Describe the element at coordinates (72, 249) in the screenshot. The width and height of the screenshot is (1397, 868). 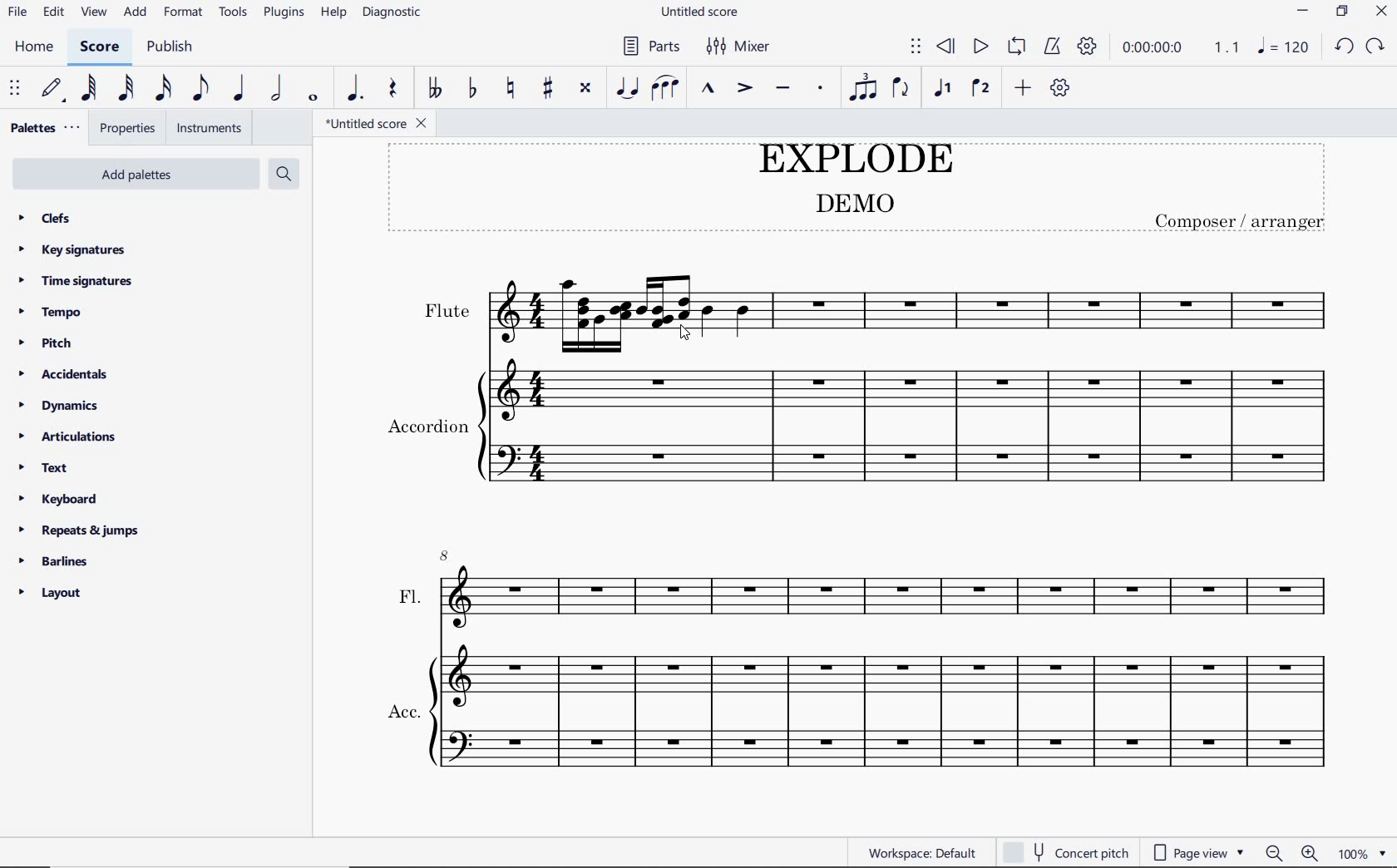
I see `key signatures` at that location.